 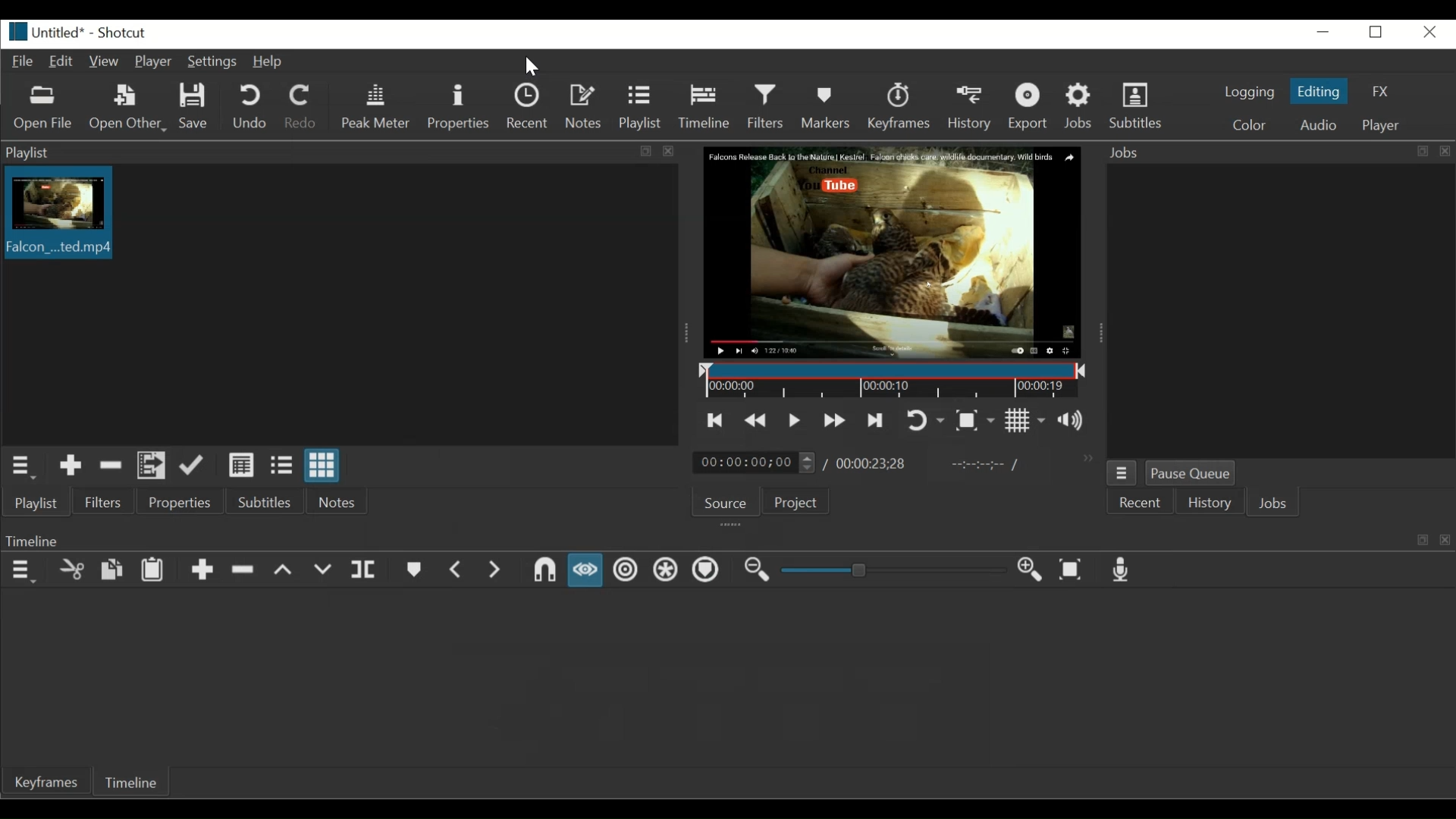 What do you see at coordinates (834, 419) in the screenshot?
I see `Play quickly forward` at bounding box center [834, 419].